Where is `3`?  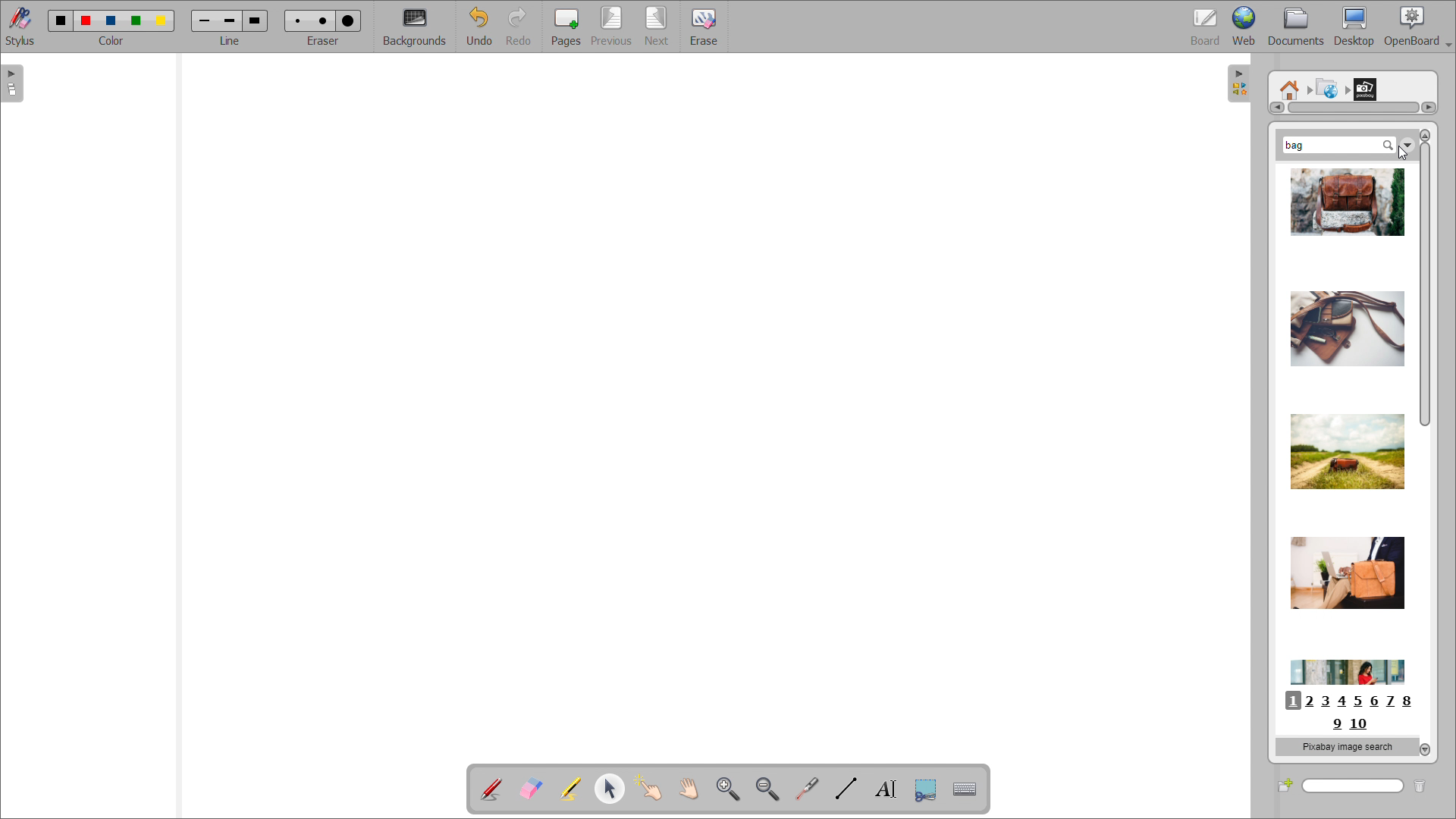 3 is located at coordinates (1327, 701).